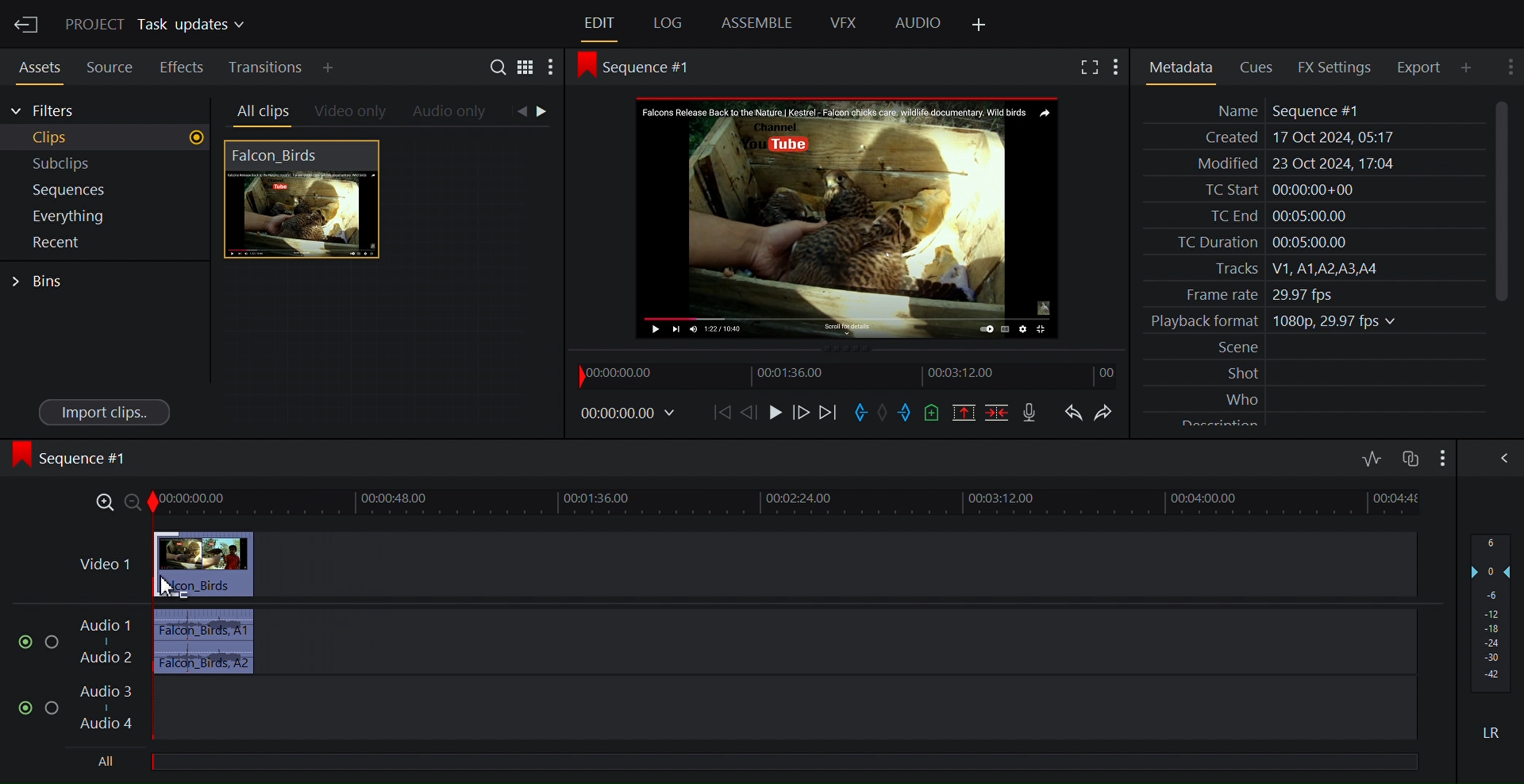  Describe the element at coordinates (1425, 67) in the screenshot. I see `Export` at that location.